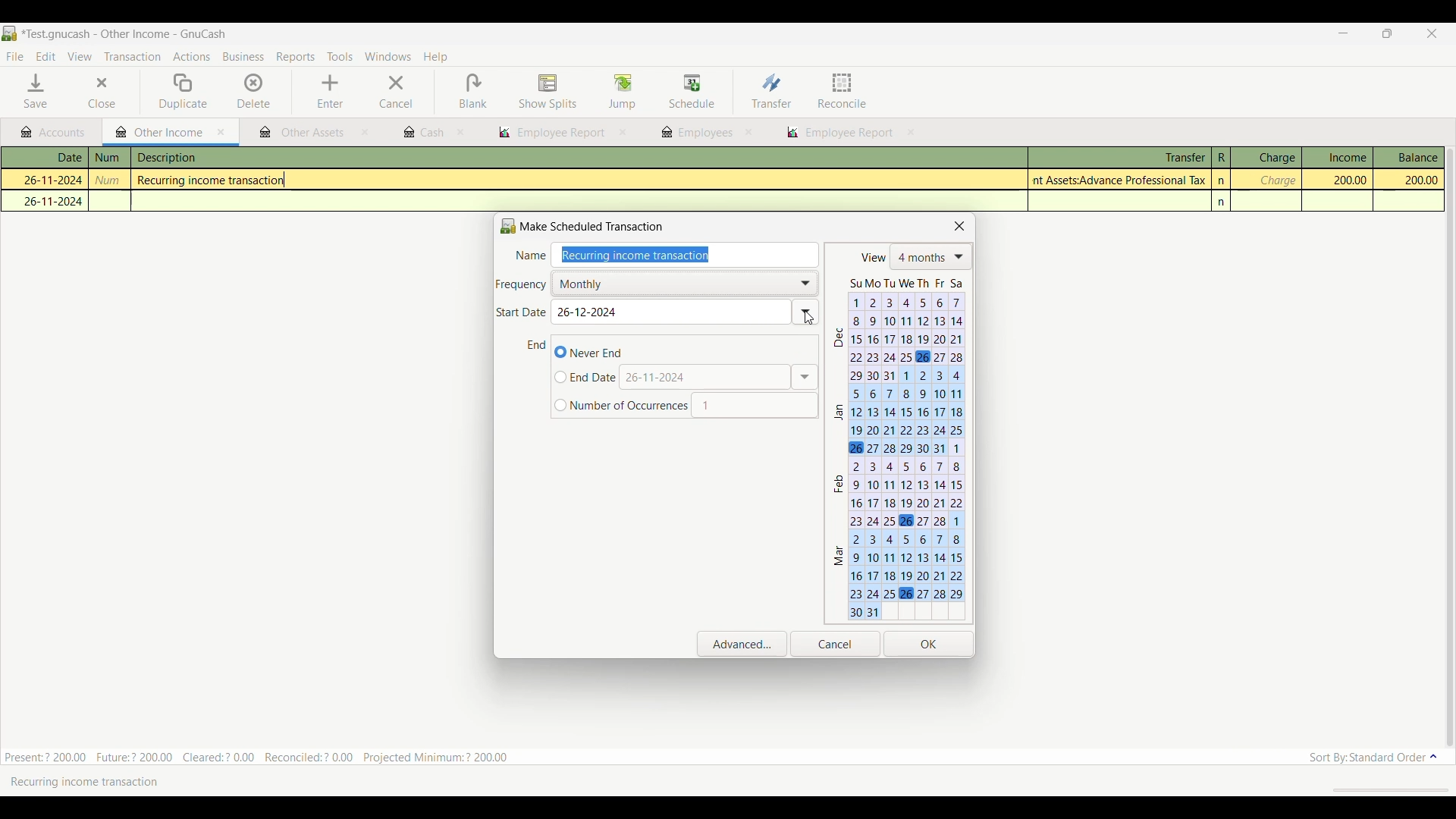  Describe the element at coordinates (184, 92) in the screenshot. I see `Duplicate` at that location.